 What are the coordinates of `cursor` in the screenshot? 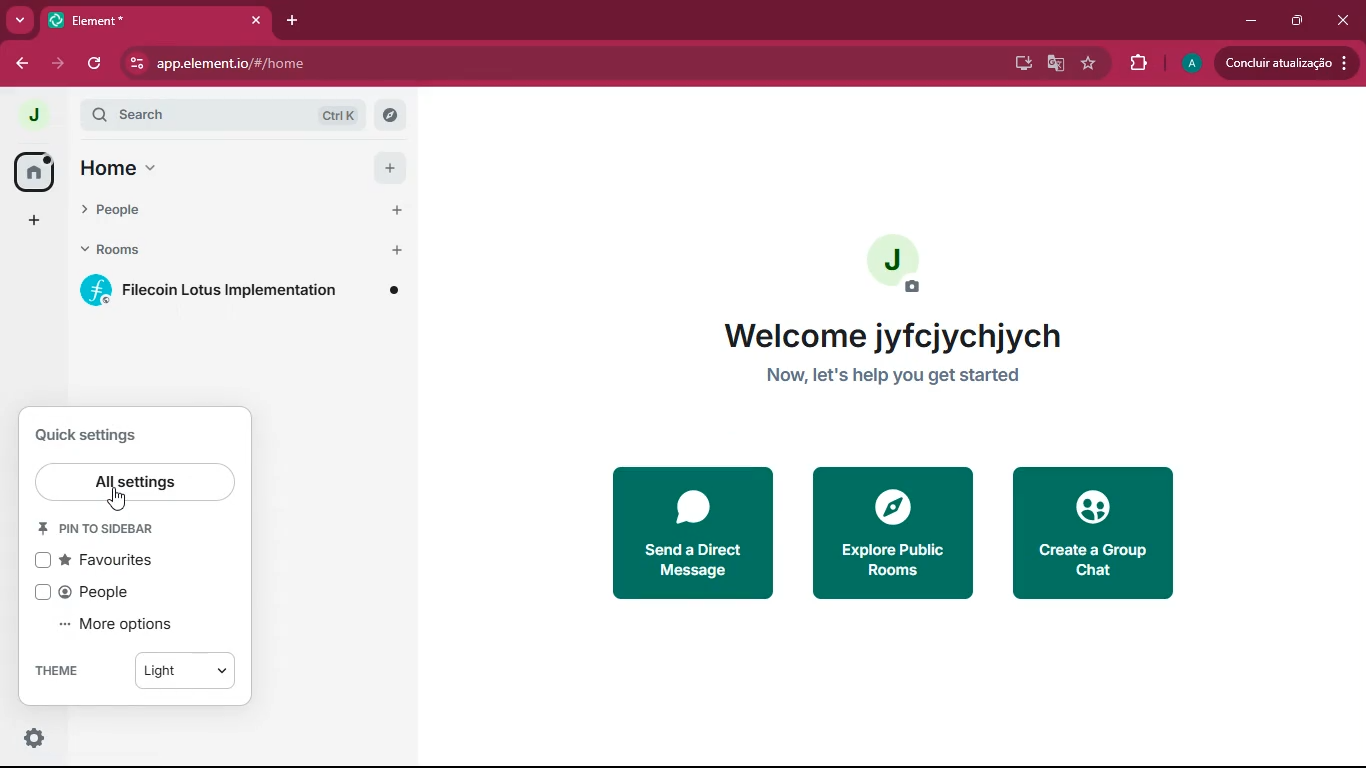 It's located at (120, 500).